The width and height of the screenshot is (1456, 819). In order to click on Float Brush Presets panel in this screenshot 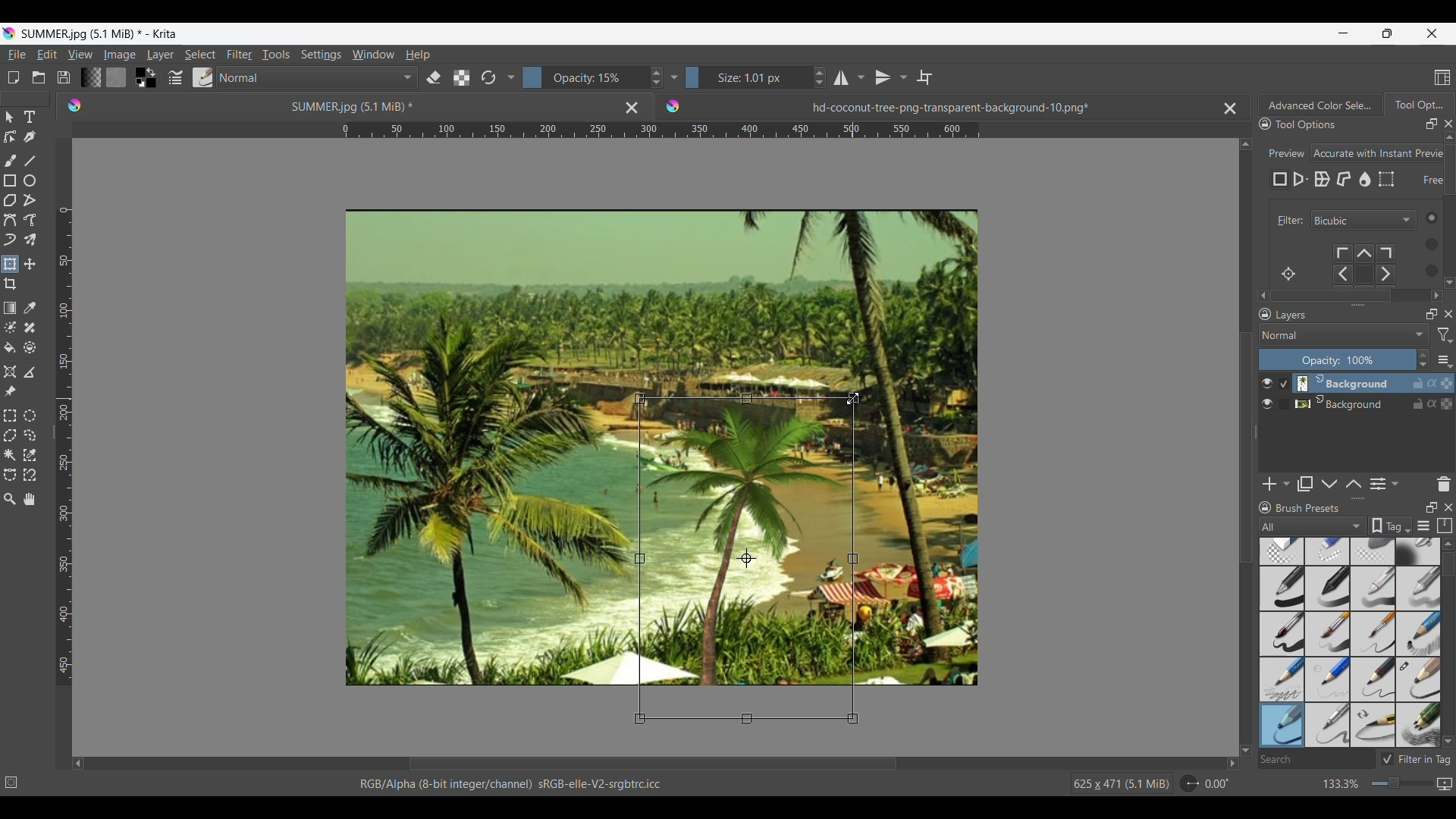, I will do `click(1432, 507)`.